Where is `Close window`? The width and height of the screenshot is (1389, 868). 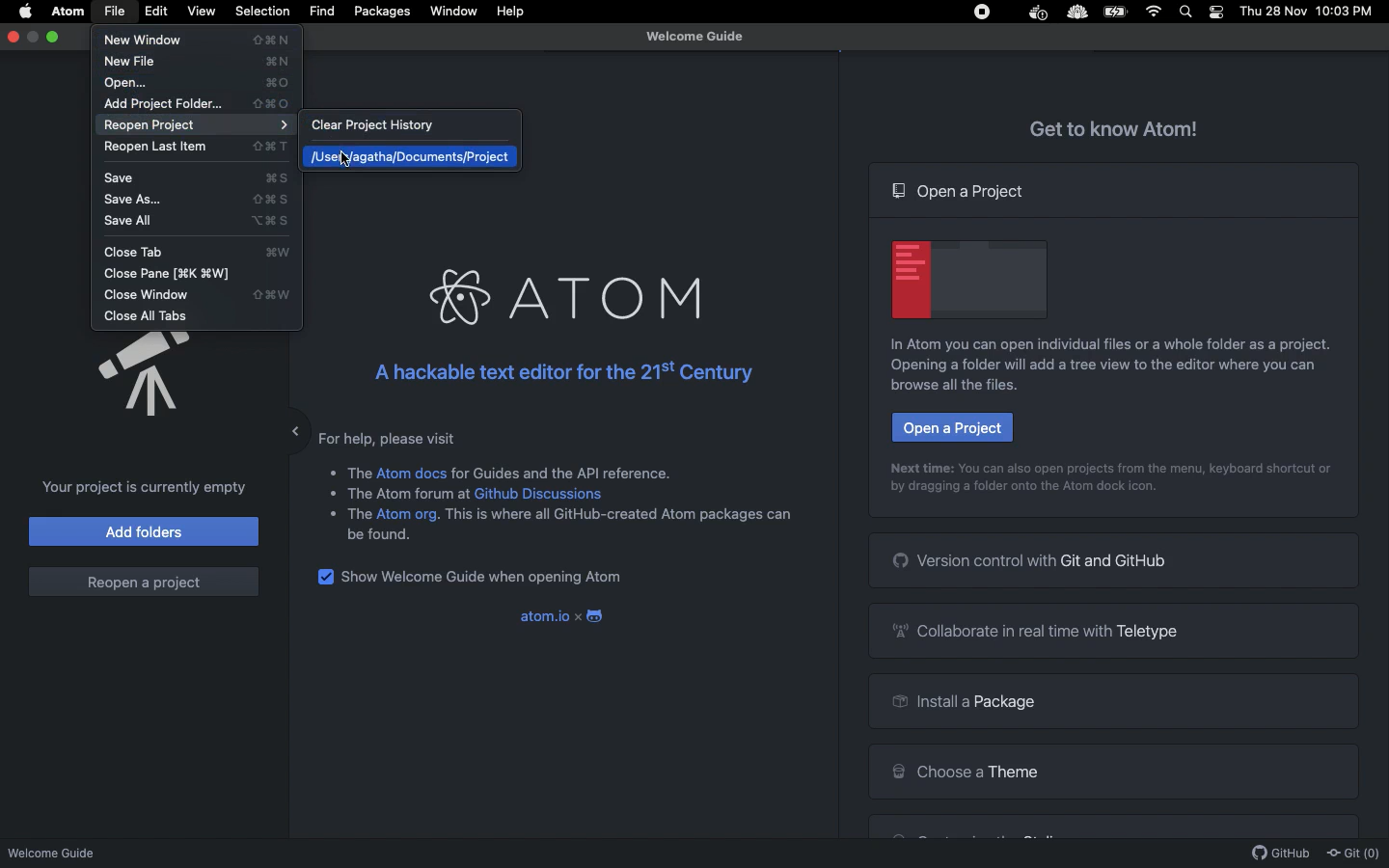 Close window is located at coordinates (195, 296).